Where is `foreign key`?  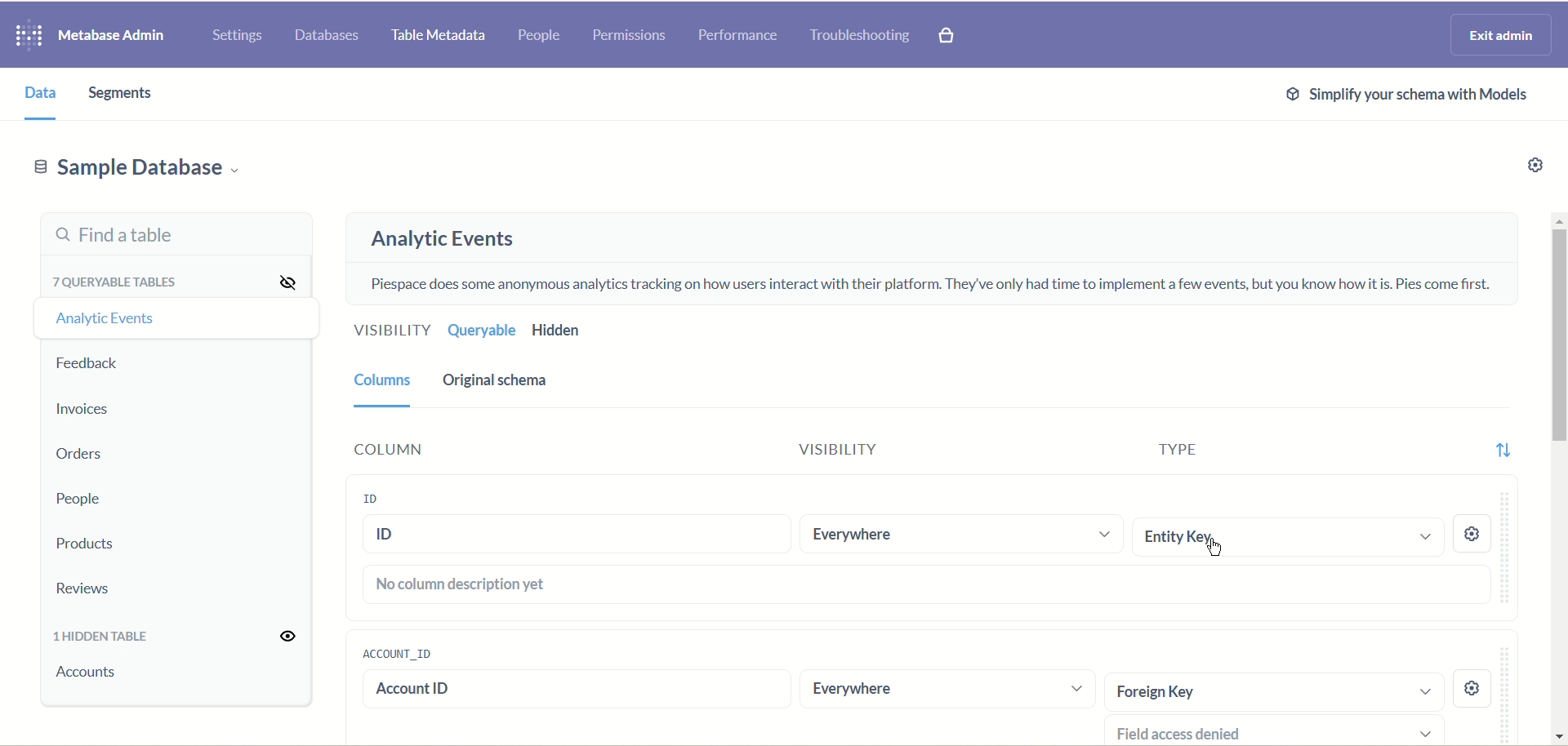
foreign key is located at coordinates (1272, 690).